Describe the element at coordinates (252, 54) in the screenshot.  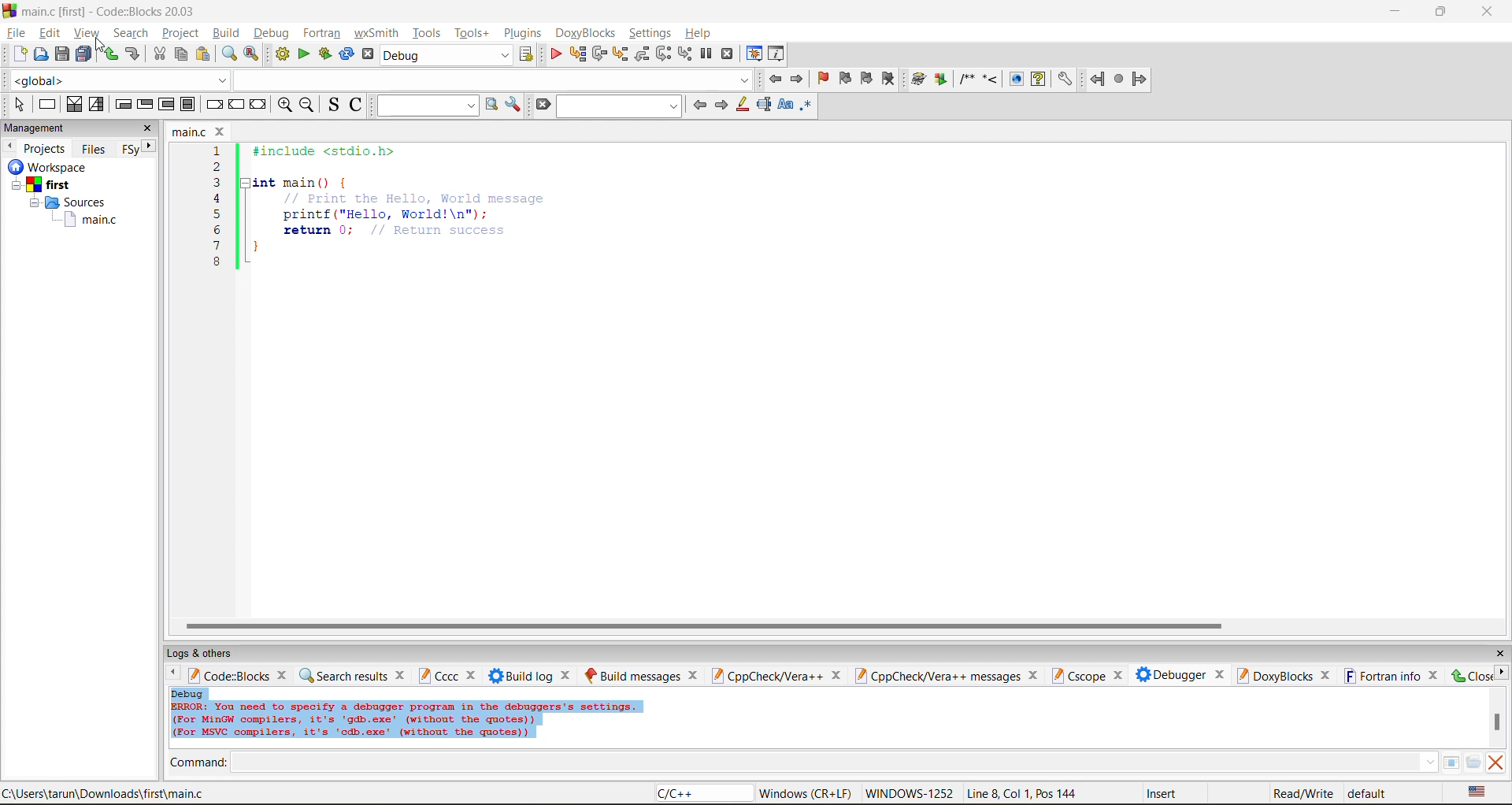
I see `replace` at that location.